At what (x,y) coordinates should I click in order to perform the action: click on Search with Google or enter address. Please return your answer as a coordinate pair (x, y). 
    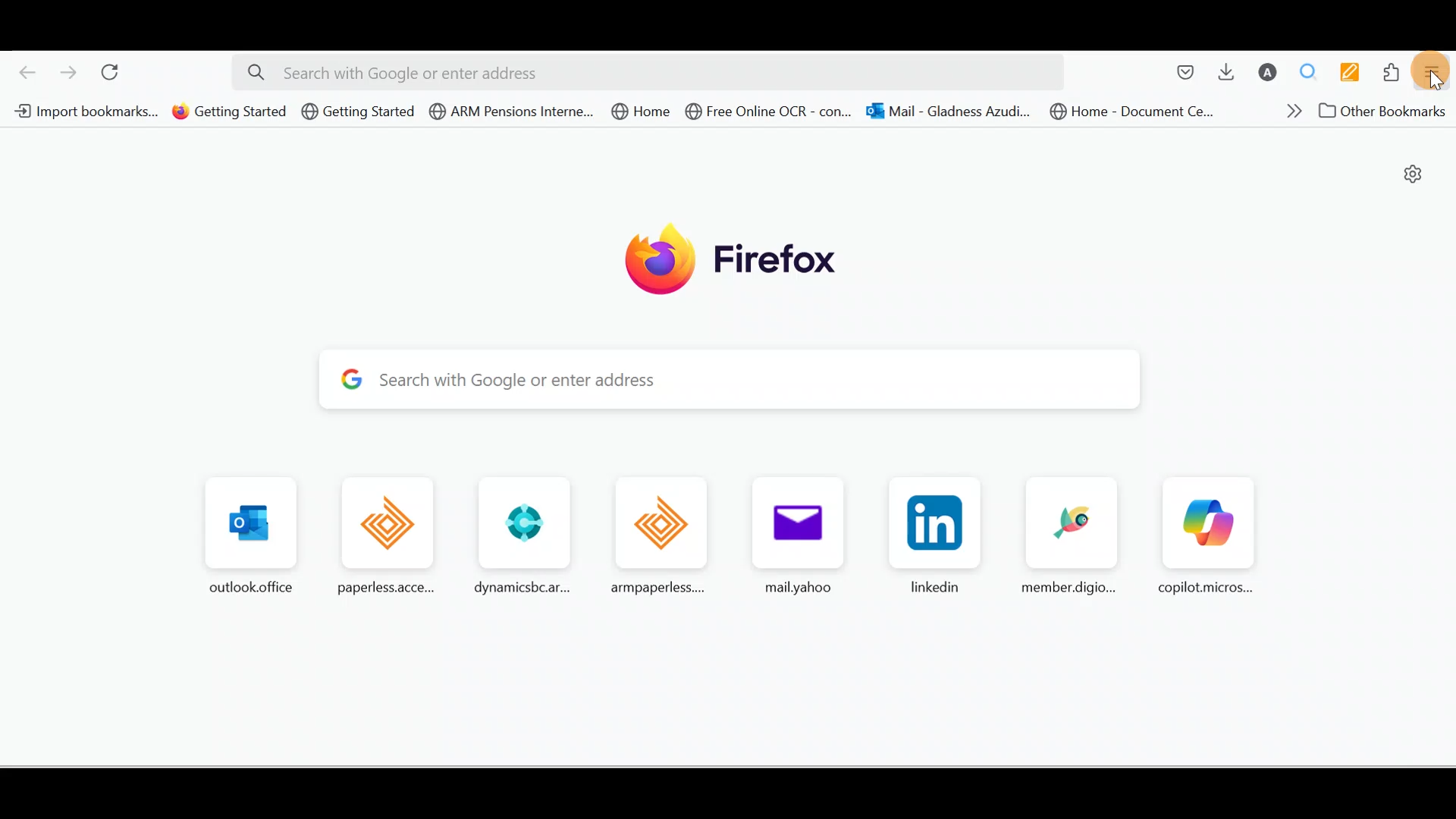
    Looking at the image, I should click on (648, 73).